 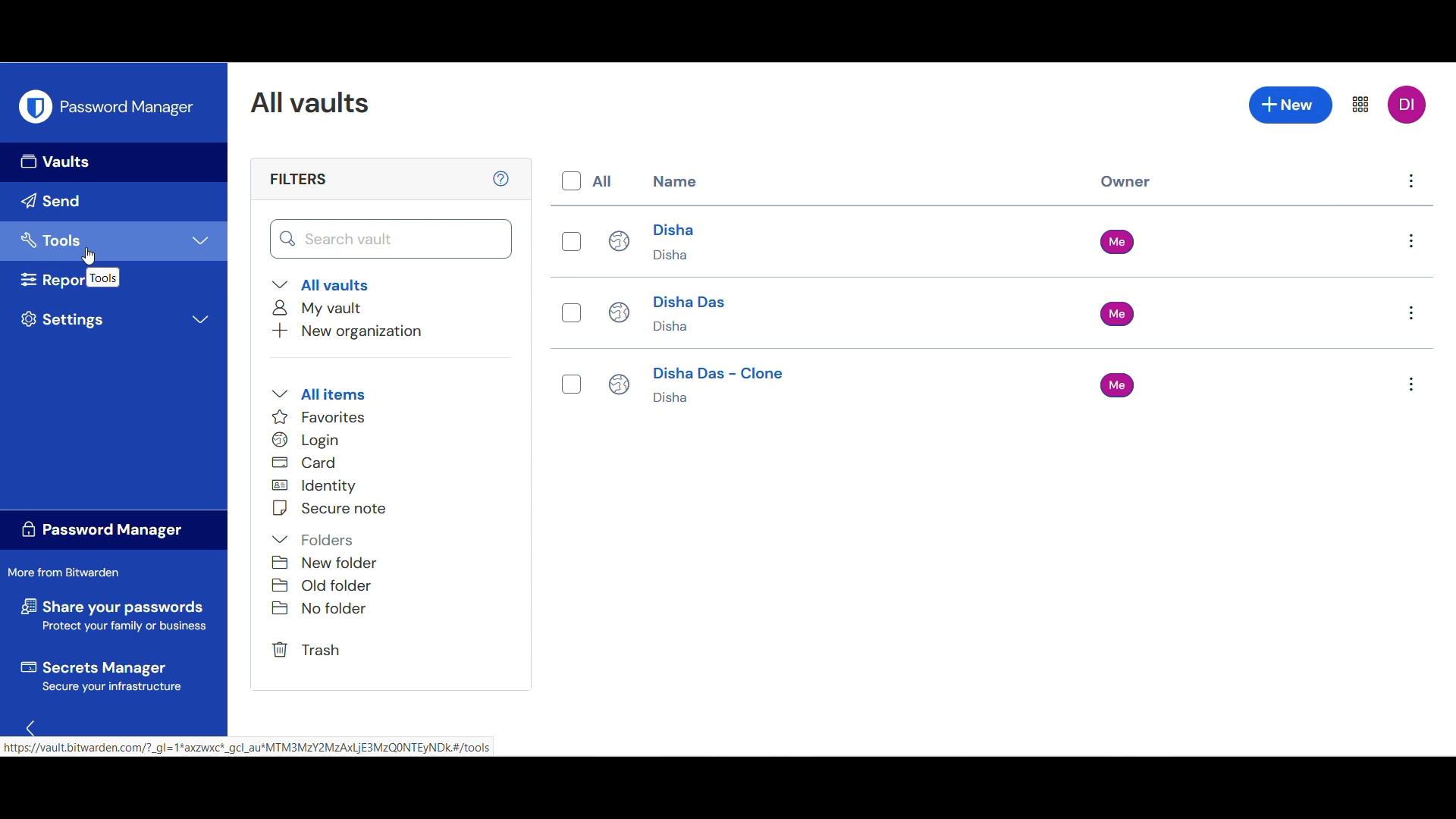 I want to click on Password manager, so click(x=115, y=529).